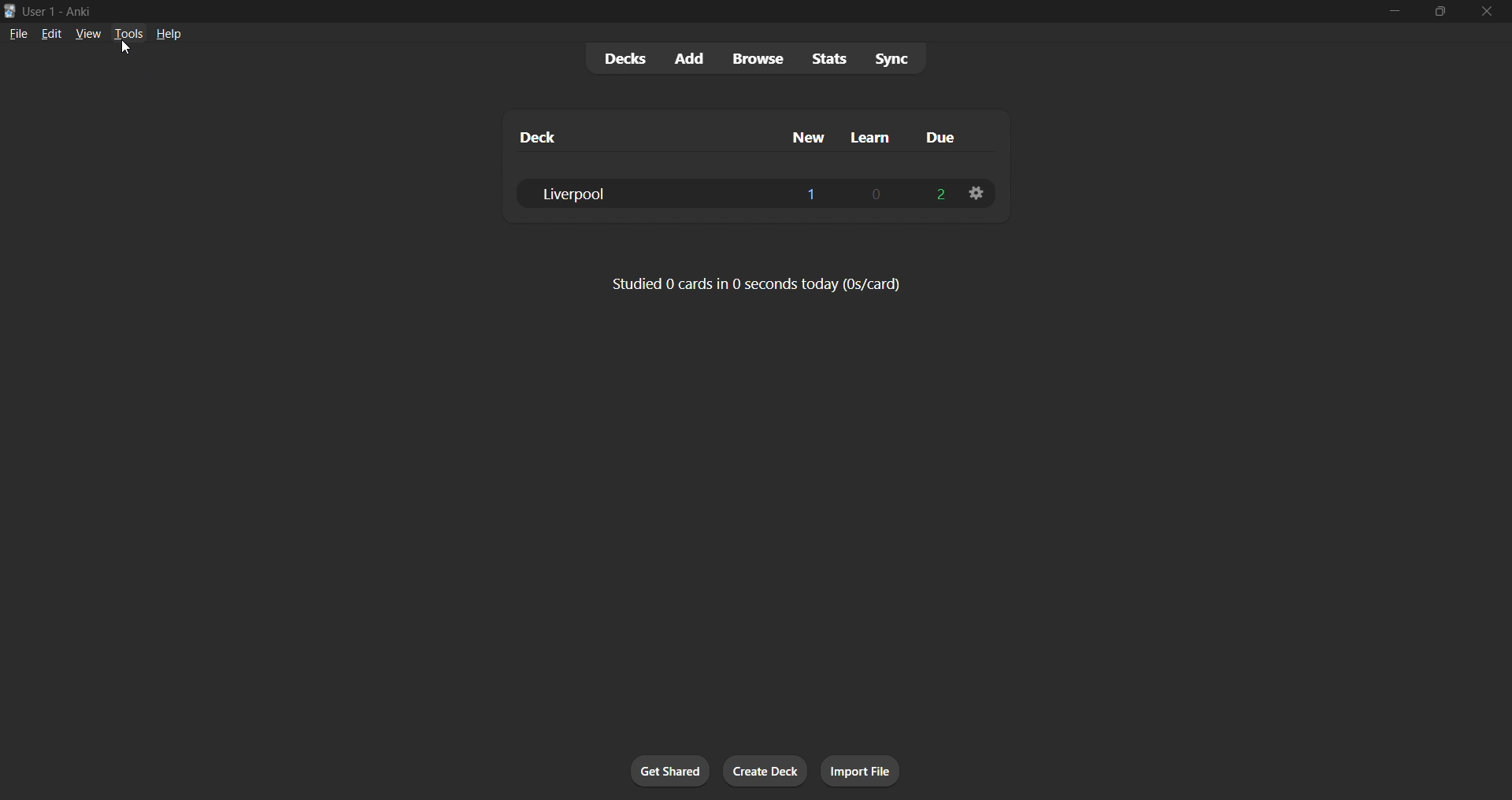  Describe the element at coordinates (755, 58) in the screenshot. I see `browse` at that location.